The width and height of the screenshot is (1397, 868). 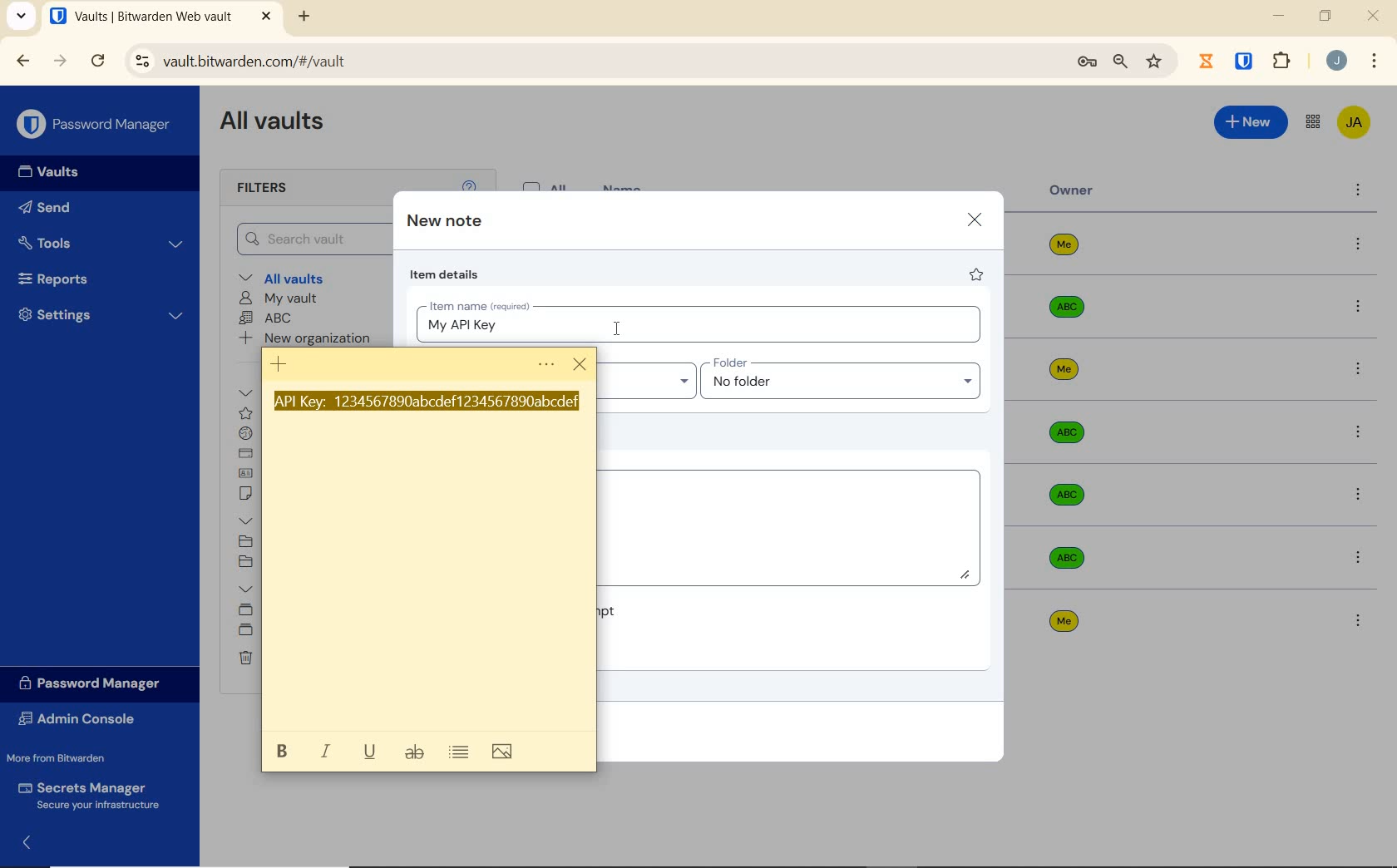 What do you see at coordinates (1325, 18) in the screenshot?
I see `RESTORE` at bounding box center [1325, 18].